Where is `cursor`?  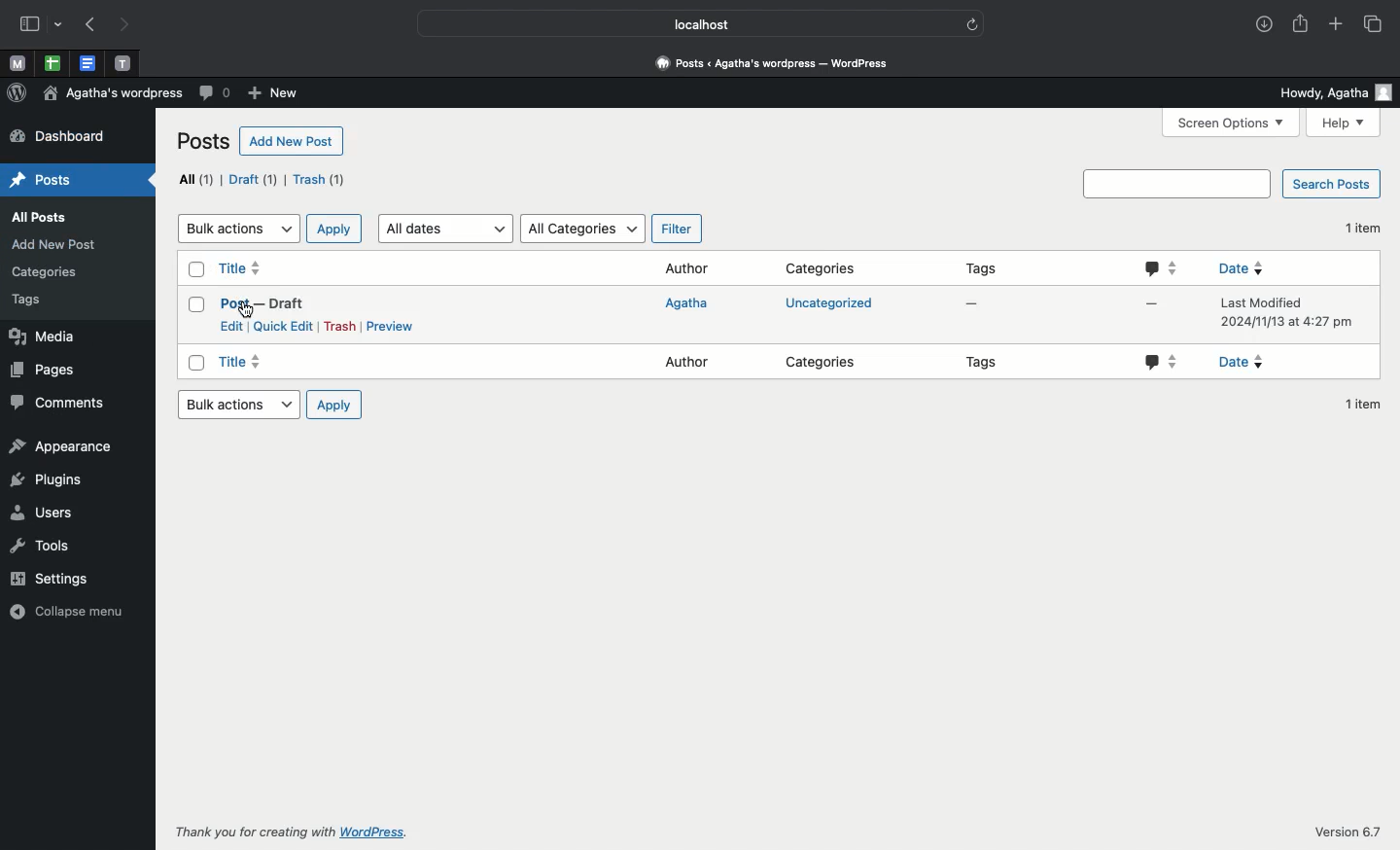
cursor is located at coordinates (246, 311).